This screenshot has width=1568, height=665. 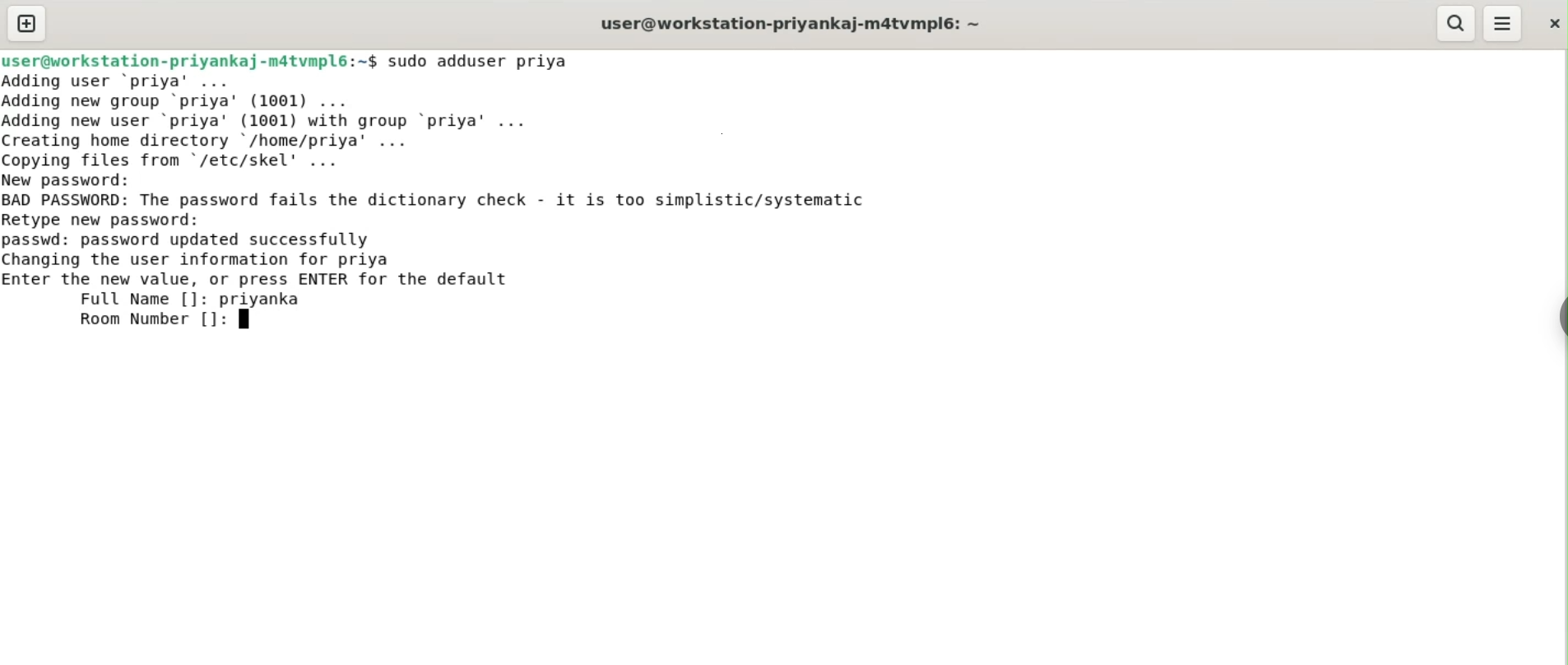 I want to click on Adding user ‘priya’ ...

Adding new group ‘priya’ (1001) ...

Adding new user ‘priya' (1001) with group ‘priya’ ...
Creating home directory /home/priya’ ...

Copving files from "/etc/skel' ..., so click(x=318, y=119).